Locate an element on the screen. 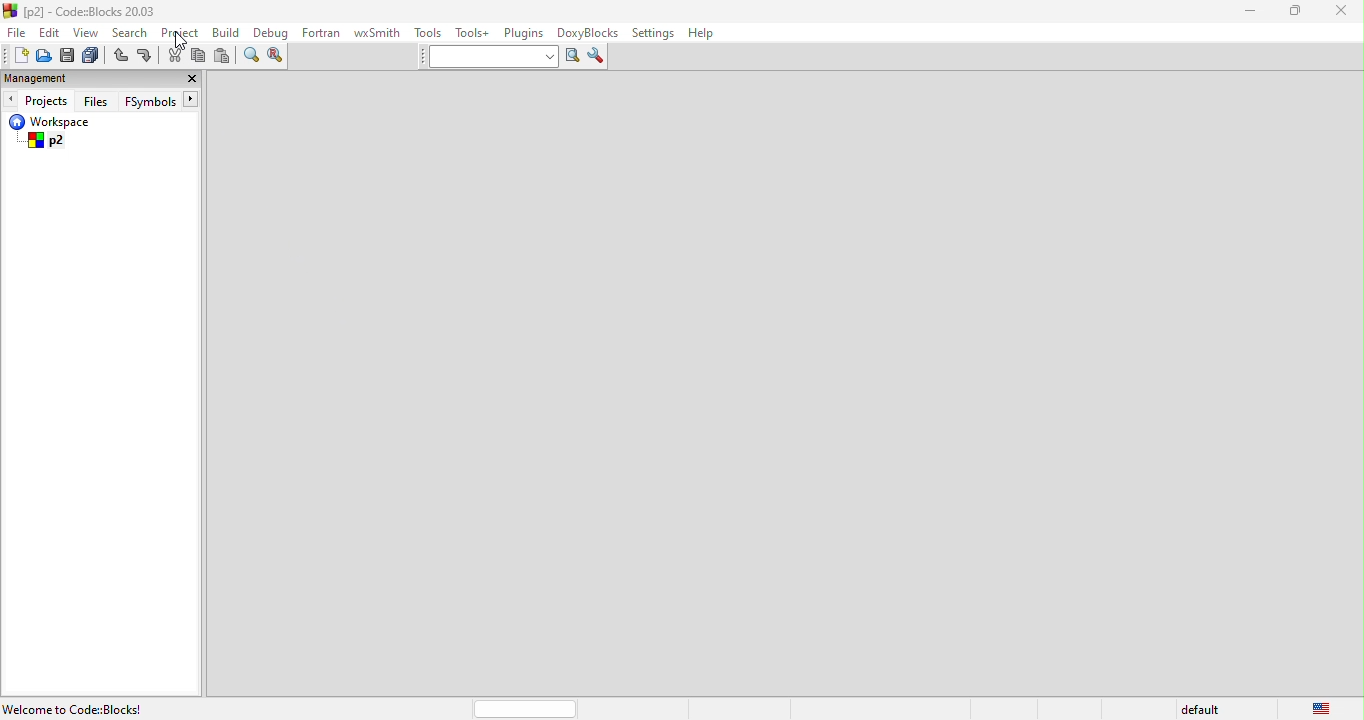  paste is located at coordinates (225, 56).